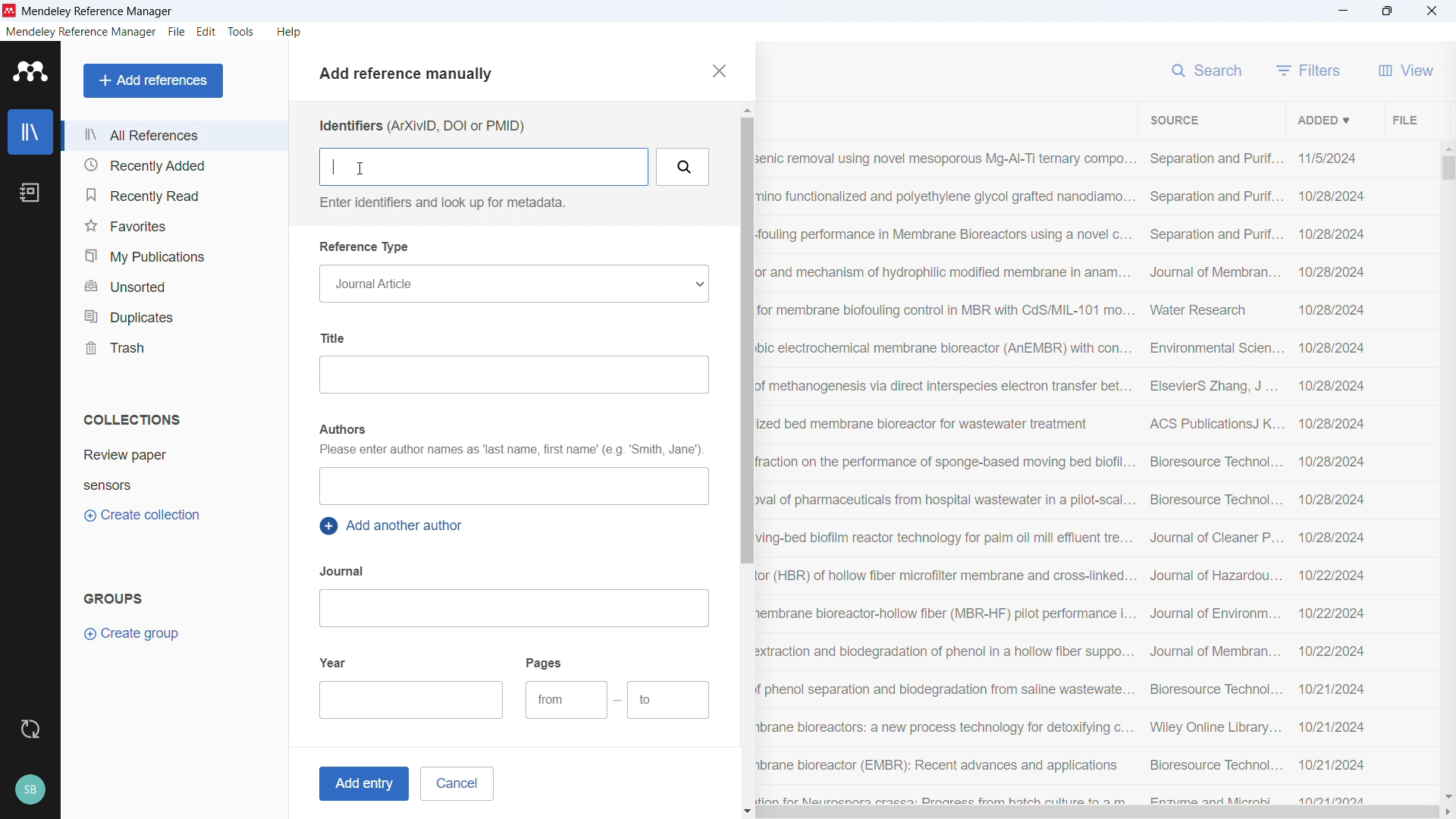 Image resolution: width=1456 pixels, height=819 pixels. I want to click on My publications , so click(172, 256).